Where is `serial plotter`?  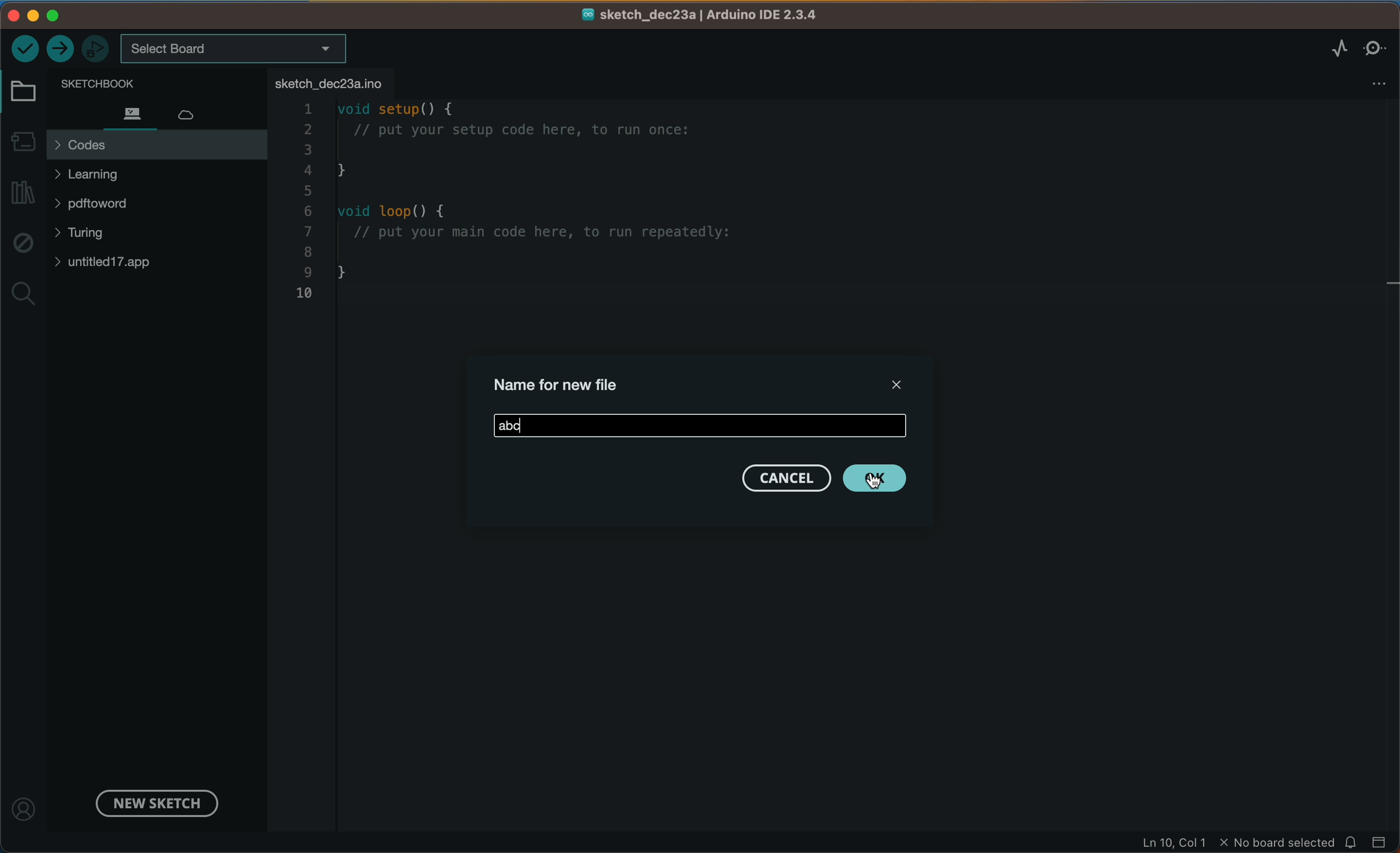 serial plotter is located at coordinates (1326, 48).